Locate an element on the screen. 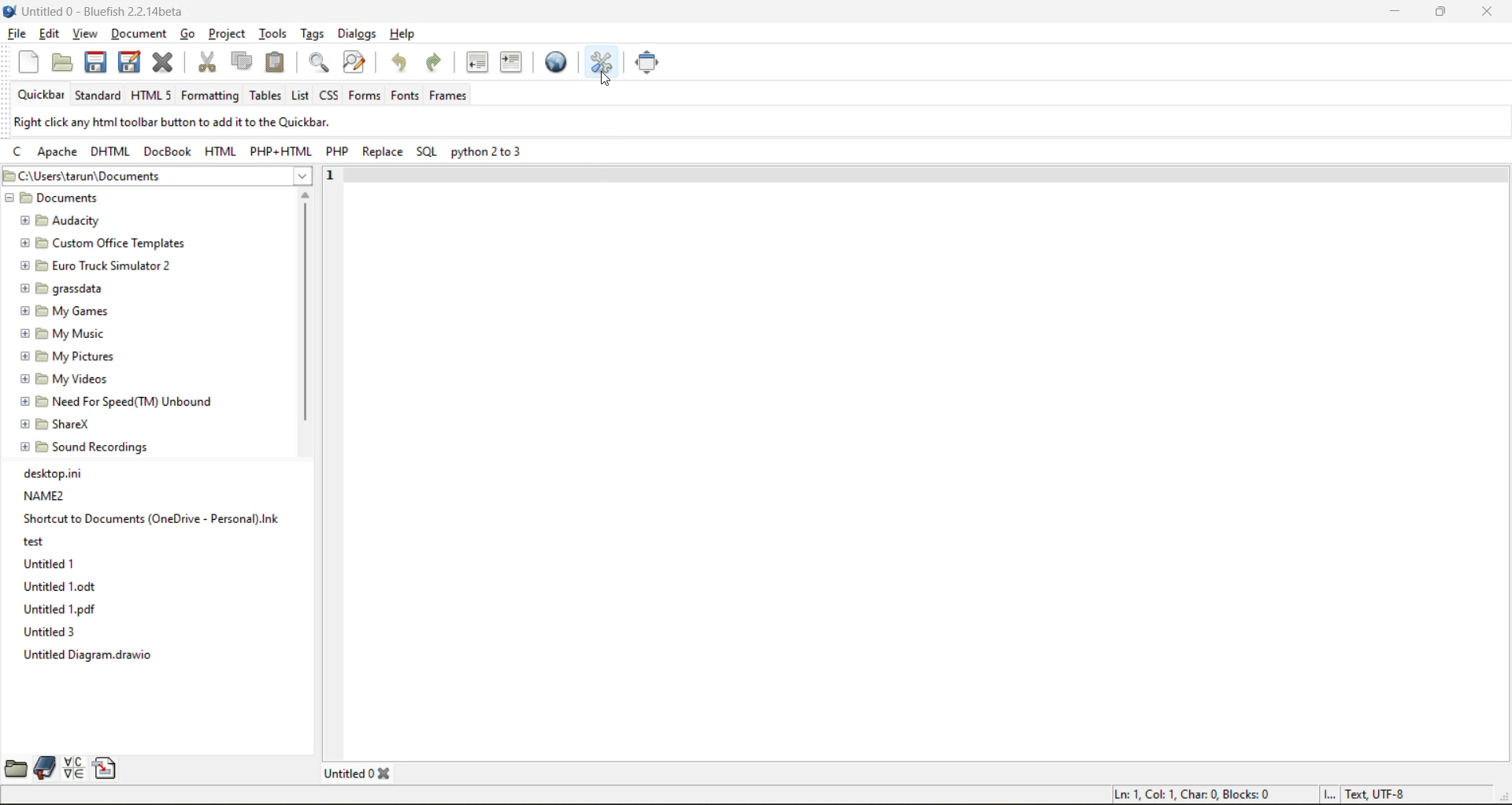 The height and width of the screenshot is (805, 1512). apache is located at coordinates (57, 154).